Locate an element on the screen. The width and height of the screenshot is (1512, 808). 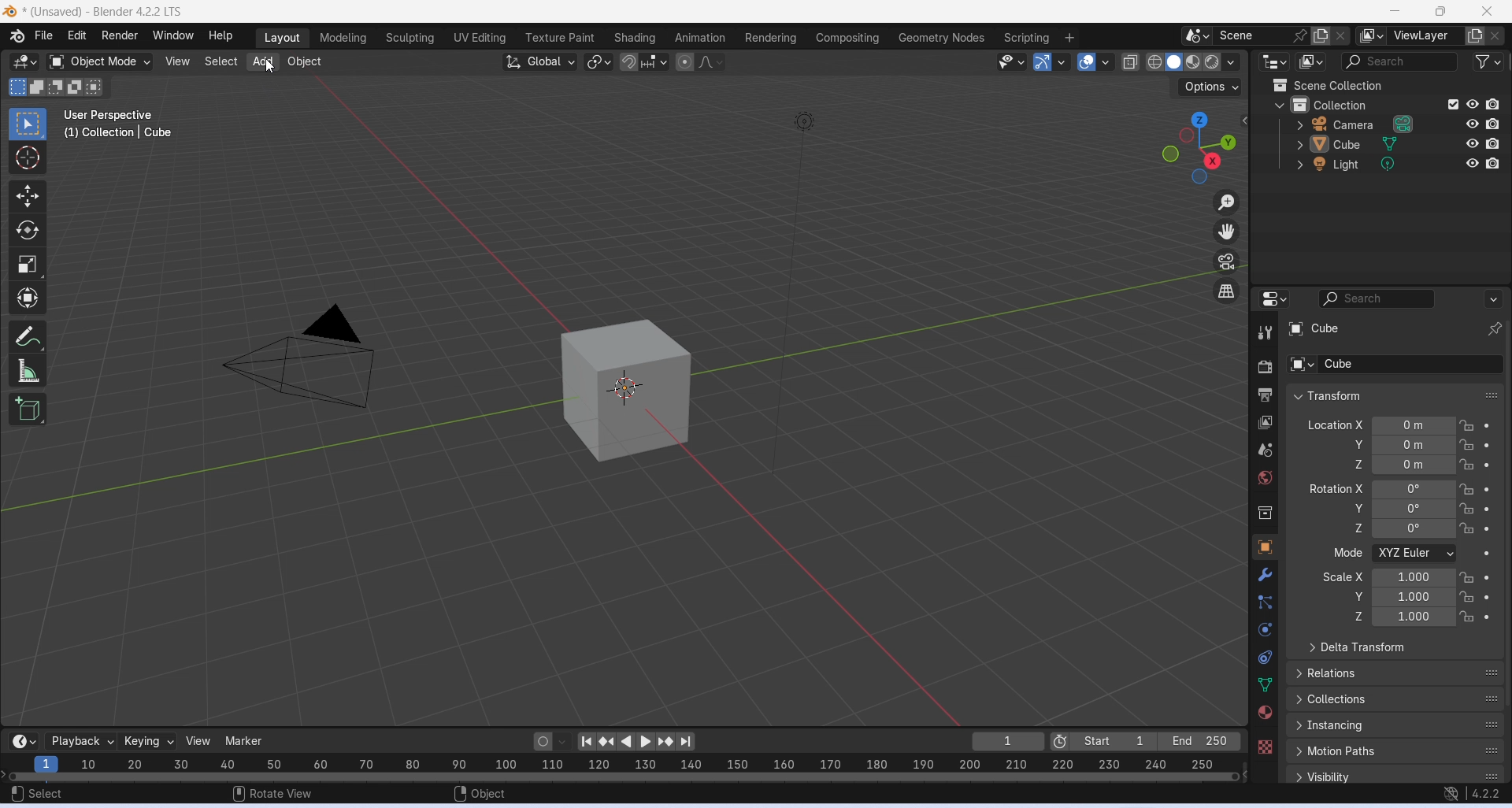
cursor is located at coordinates (272, 67).